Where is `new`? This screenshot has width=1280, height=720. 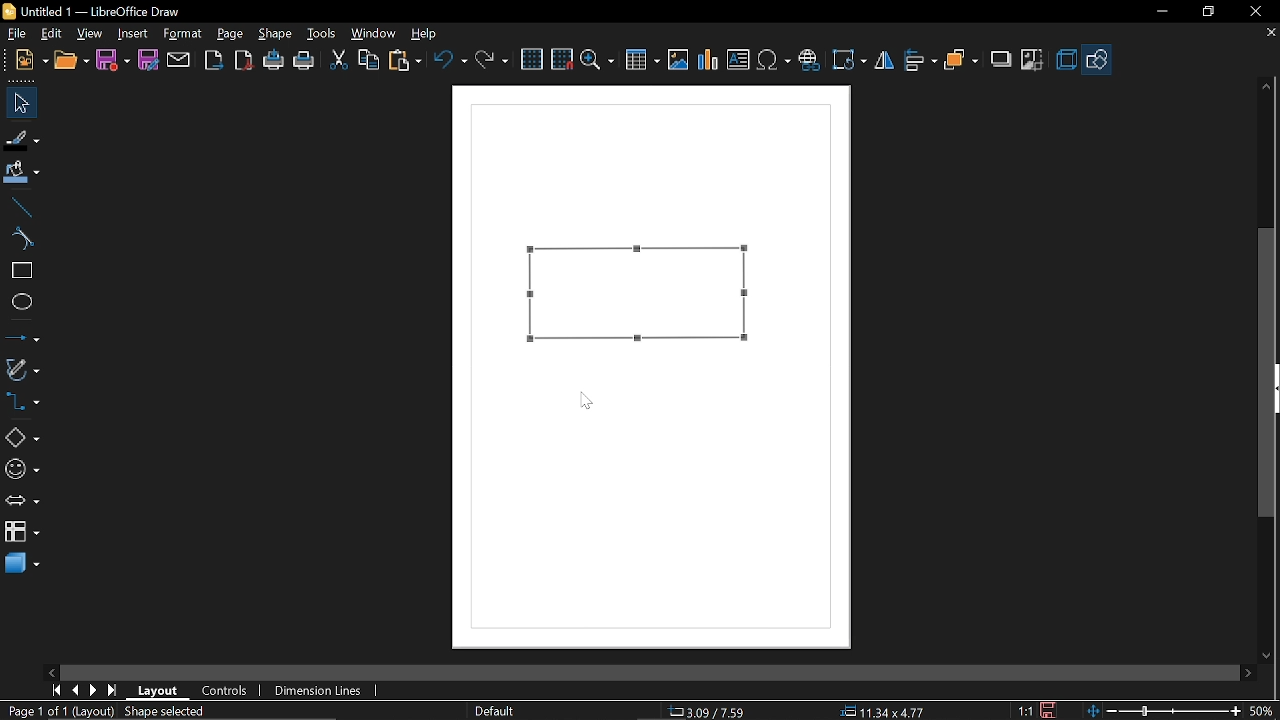
new is located at coordinates (28, 60).